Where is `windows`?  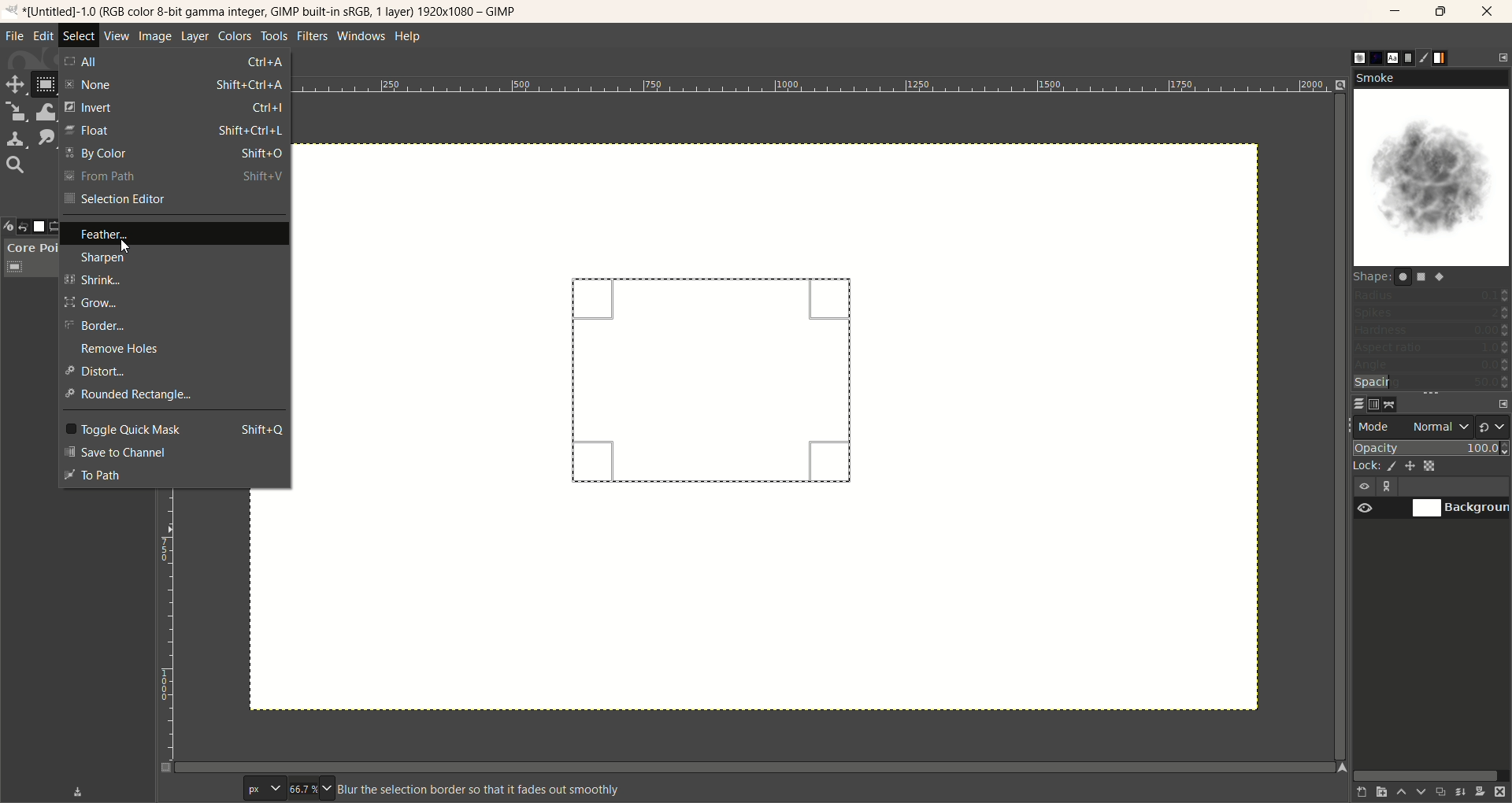
windows is located at coordinates (360, 35).